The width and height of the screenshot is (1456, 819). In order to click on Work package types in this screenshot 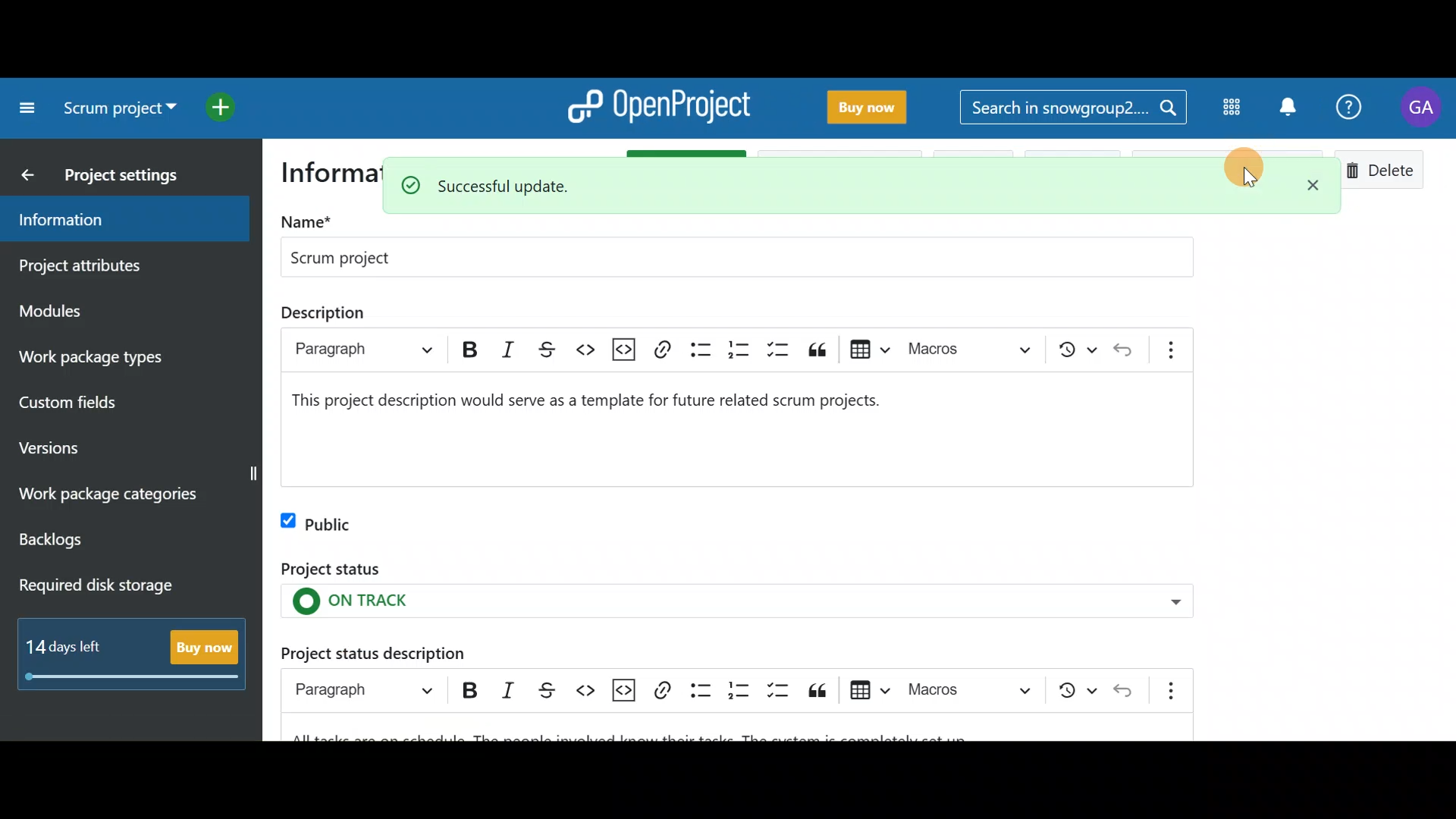, I will do `click(122, 356)`.